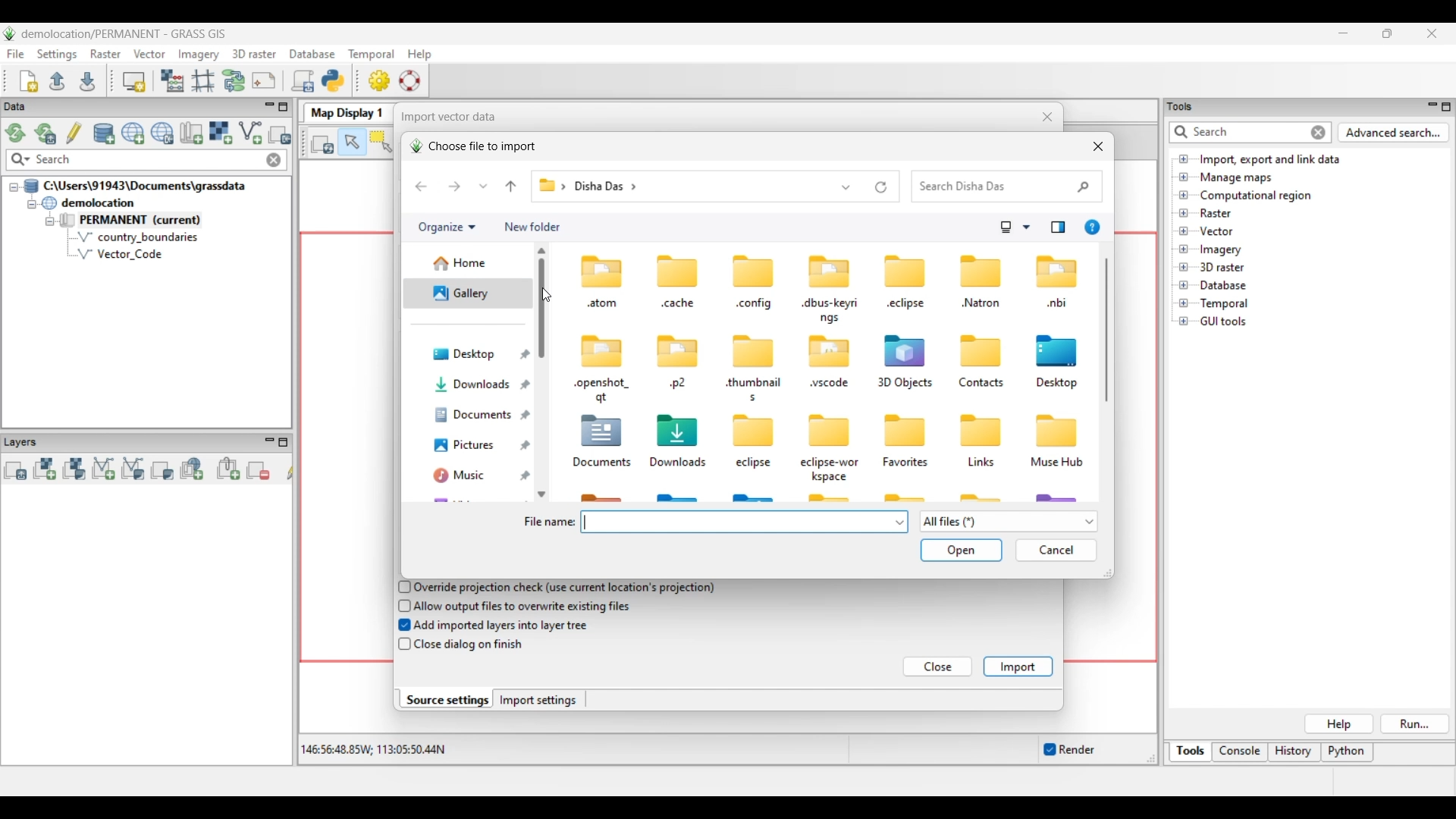  What do you see at coordinates (981, 431) in the screenshot?
I see `icon` at bounding box center [981, 431].